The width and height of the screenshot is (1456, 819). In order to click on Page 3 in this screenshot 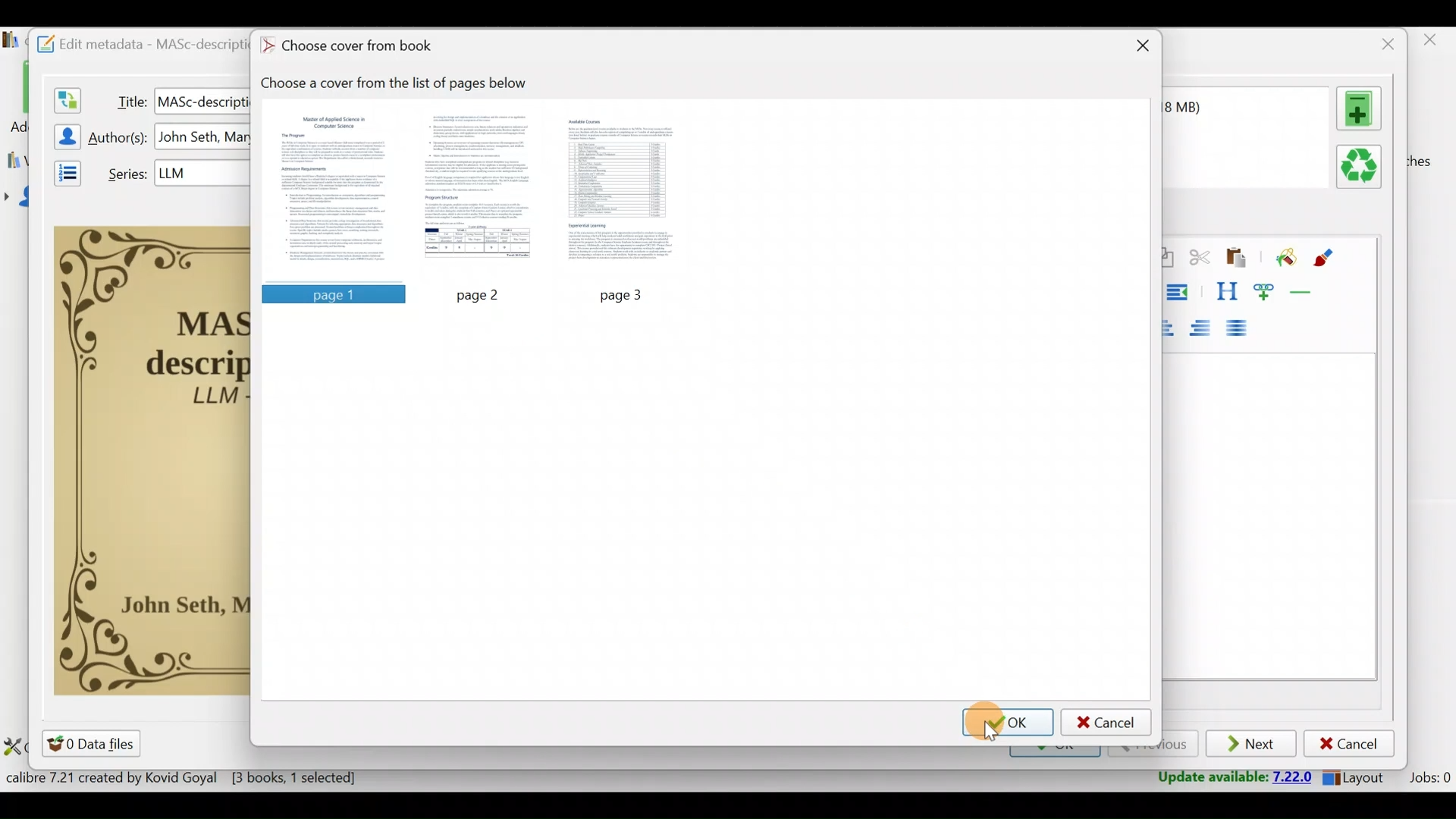, I will do `click(624, 190)`.